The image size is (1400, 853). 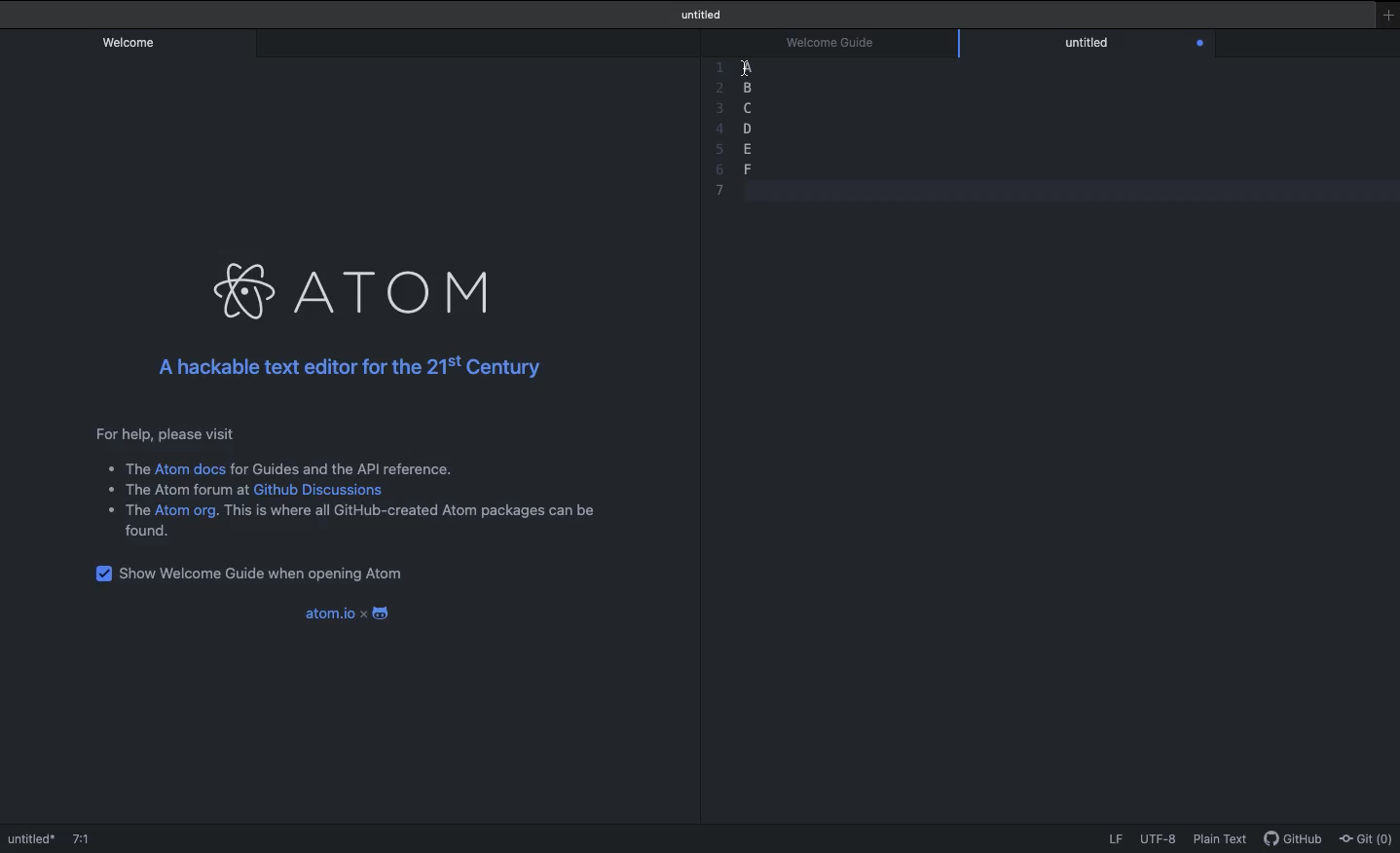 I want to click on Welcome guide, so click(x=831, y=44).